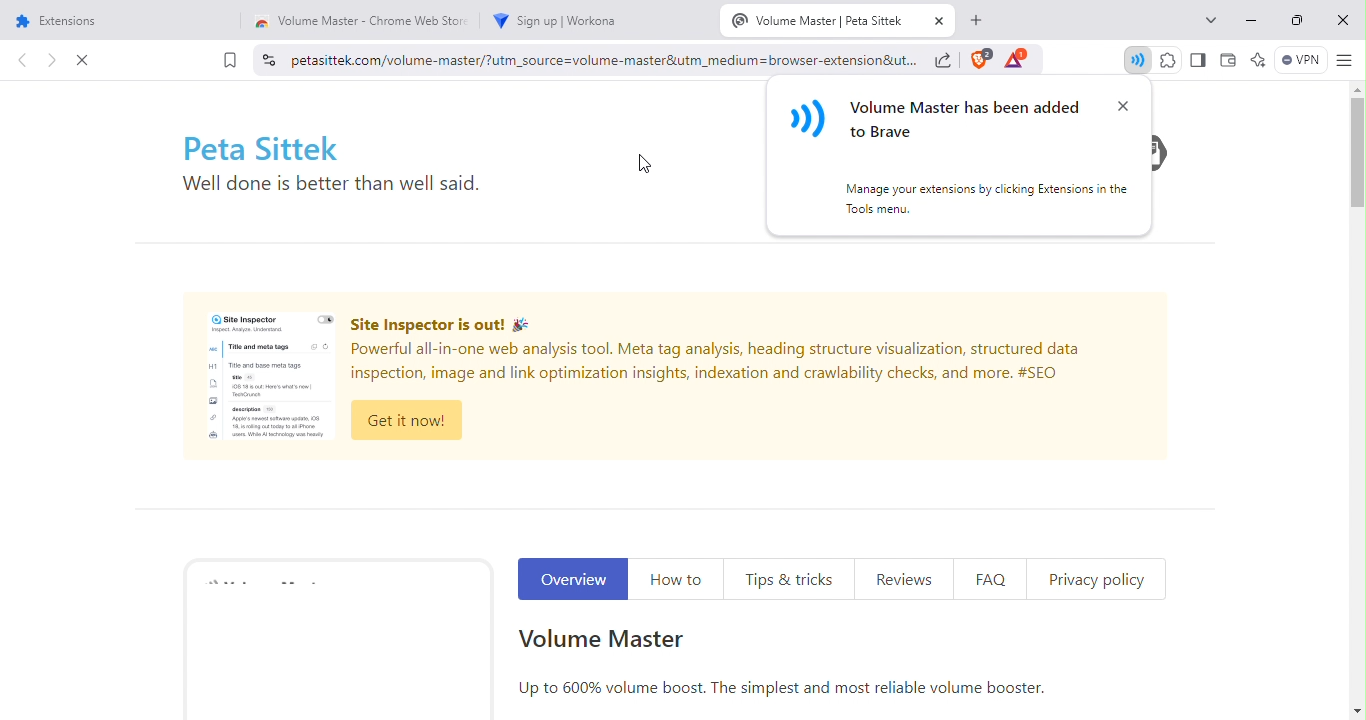  Describe the element at coordinates (1167, 59) in the screenshot. I see `extensions ` at that location.